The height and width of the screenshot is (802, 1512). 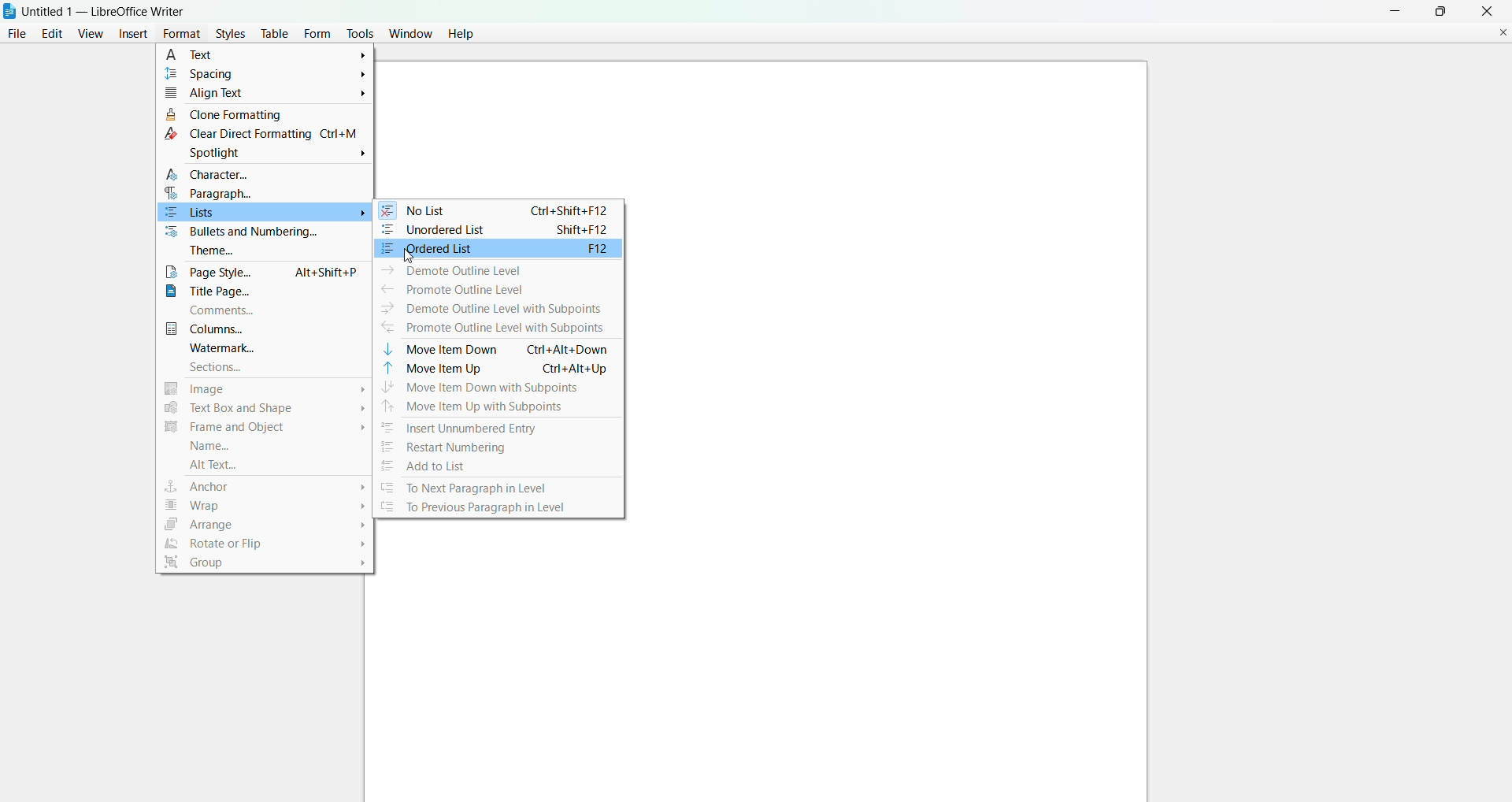 I want to click on move item down with subpoints, so click(x=483, y=388).